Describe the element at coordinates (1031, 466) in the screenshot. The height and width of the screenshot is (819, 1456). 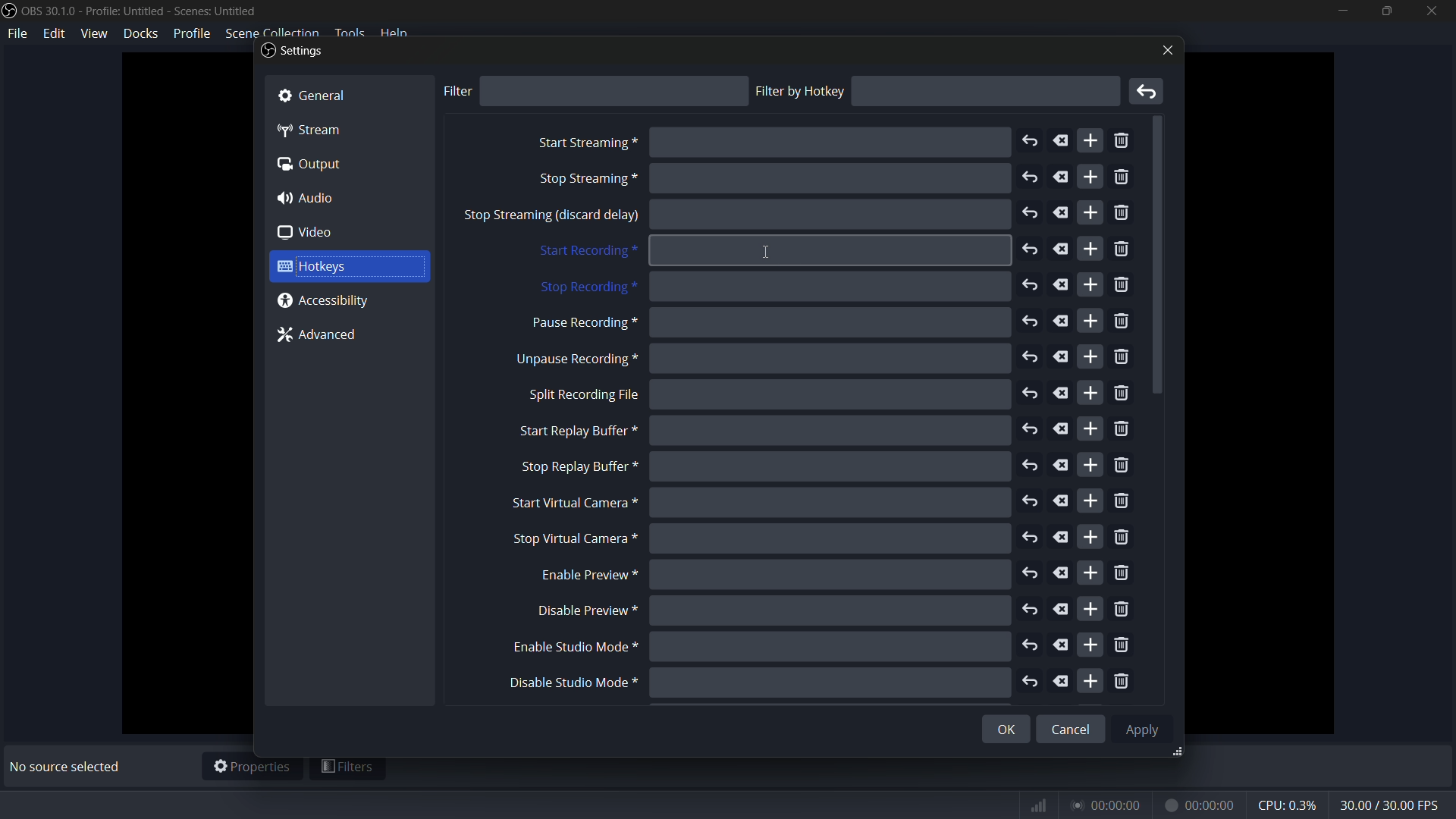
I see `undo` at that location.